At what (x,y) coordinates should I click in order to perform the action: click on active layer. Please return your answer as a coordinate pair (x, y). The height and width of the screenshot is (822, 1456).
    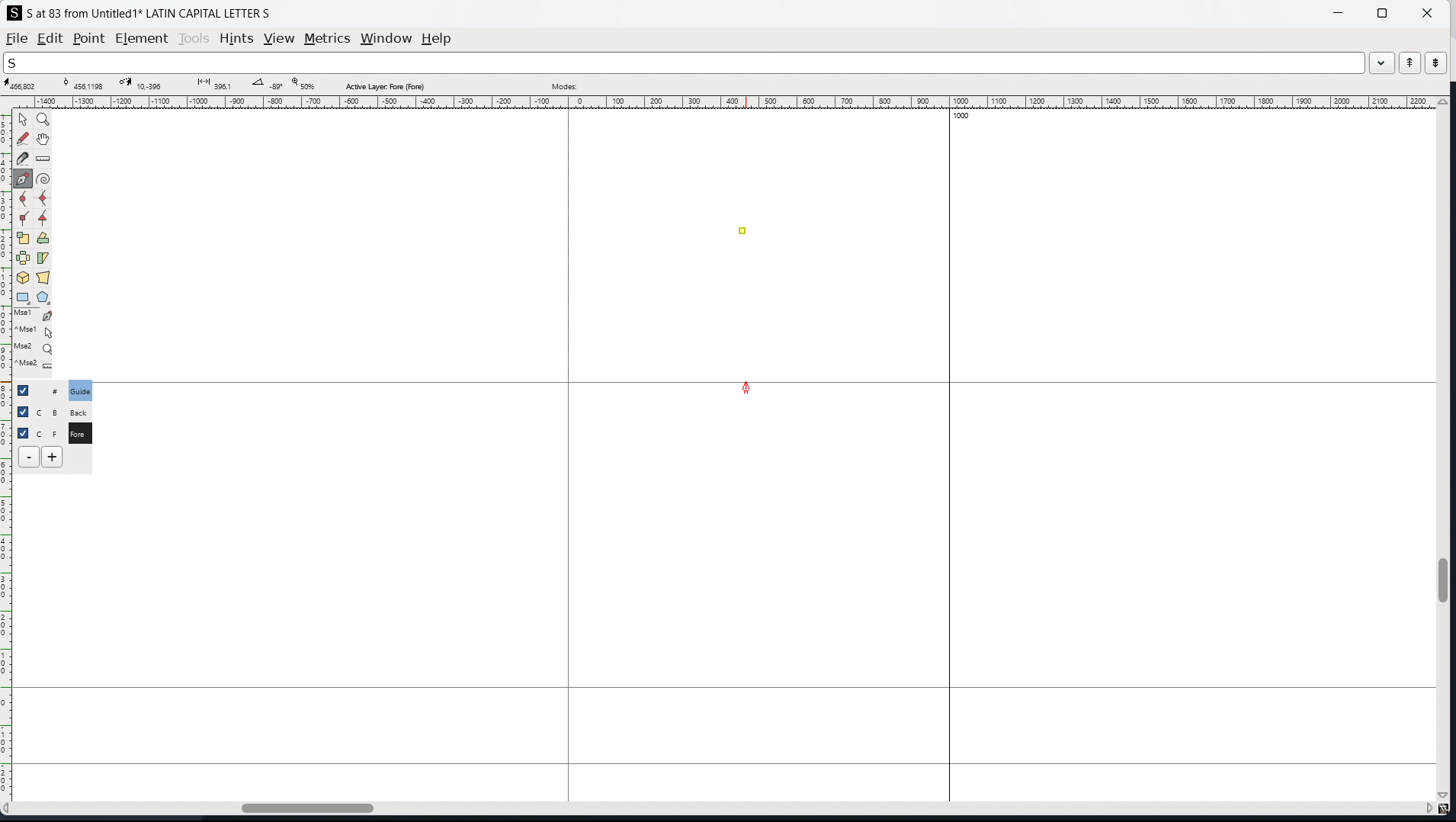
    Looking at the image, I should click on (384, 86).